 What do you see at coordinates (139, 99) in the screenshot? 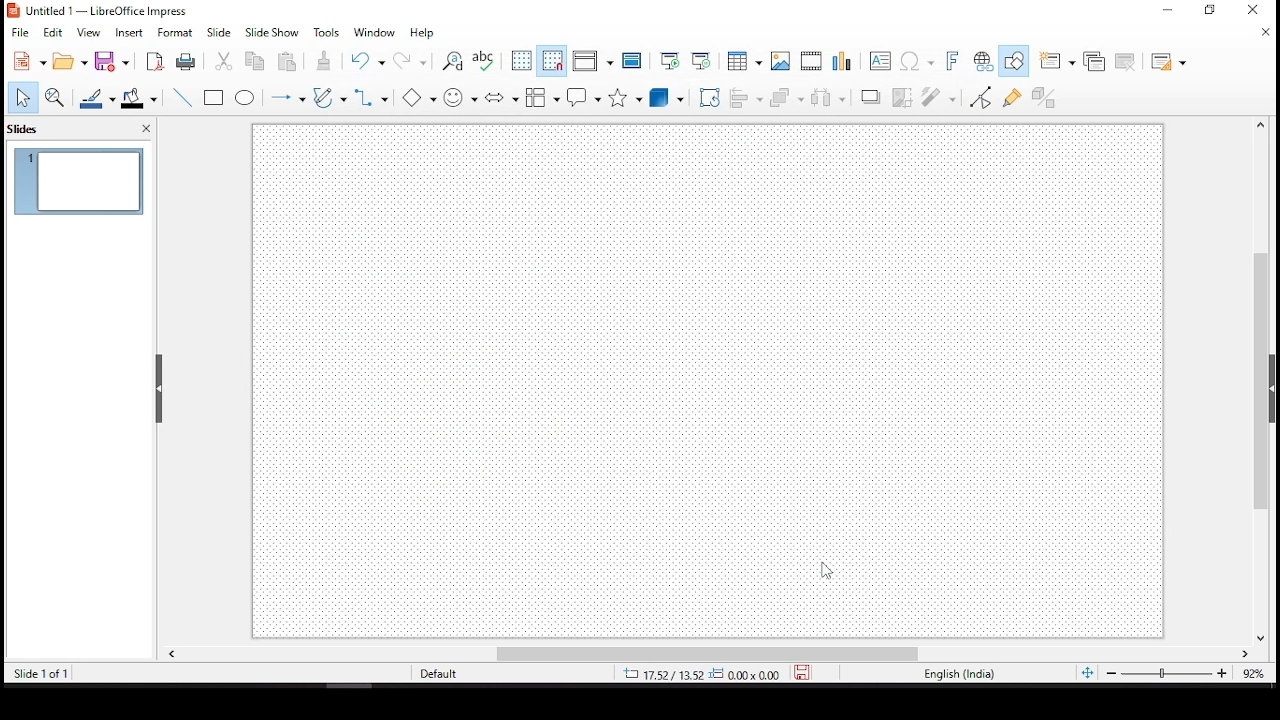
I see `fill color` at bounding box center [139, 99].